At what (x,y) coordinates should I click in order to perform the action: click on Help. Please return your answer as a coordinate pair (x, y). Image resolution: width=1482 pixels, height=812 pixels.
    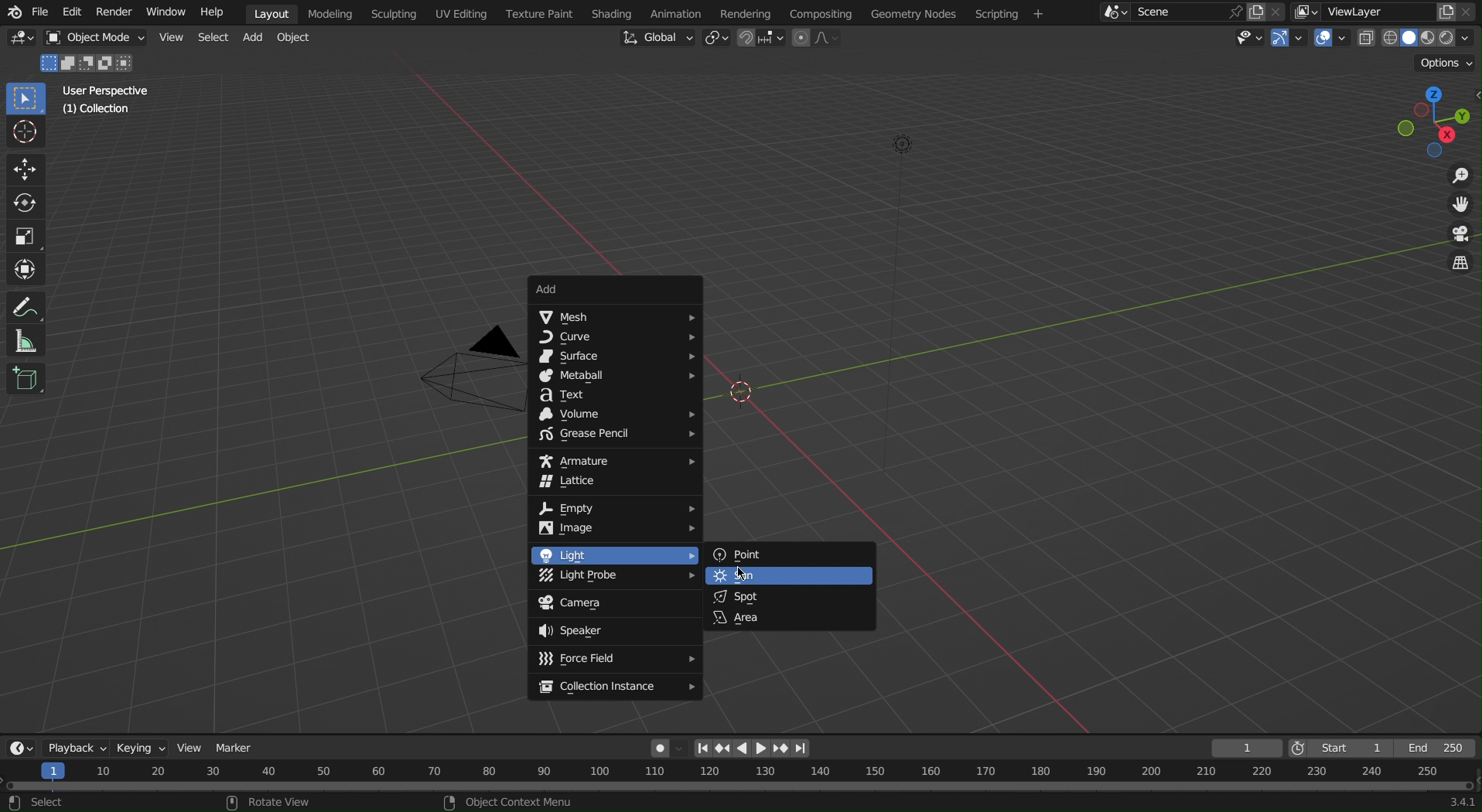
    Looking at the image, I should click on (217, 13).